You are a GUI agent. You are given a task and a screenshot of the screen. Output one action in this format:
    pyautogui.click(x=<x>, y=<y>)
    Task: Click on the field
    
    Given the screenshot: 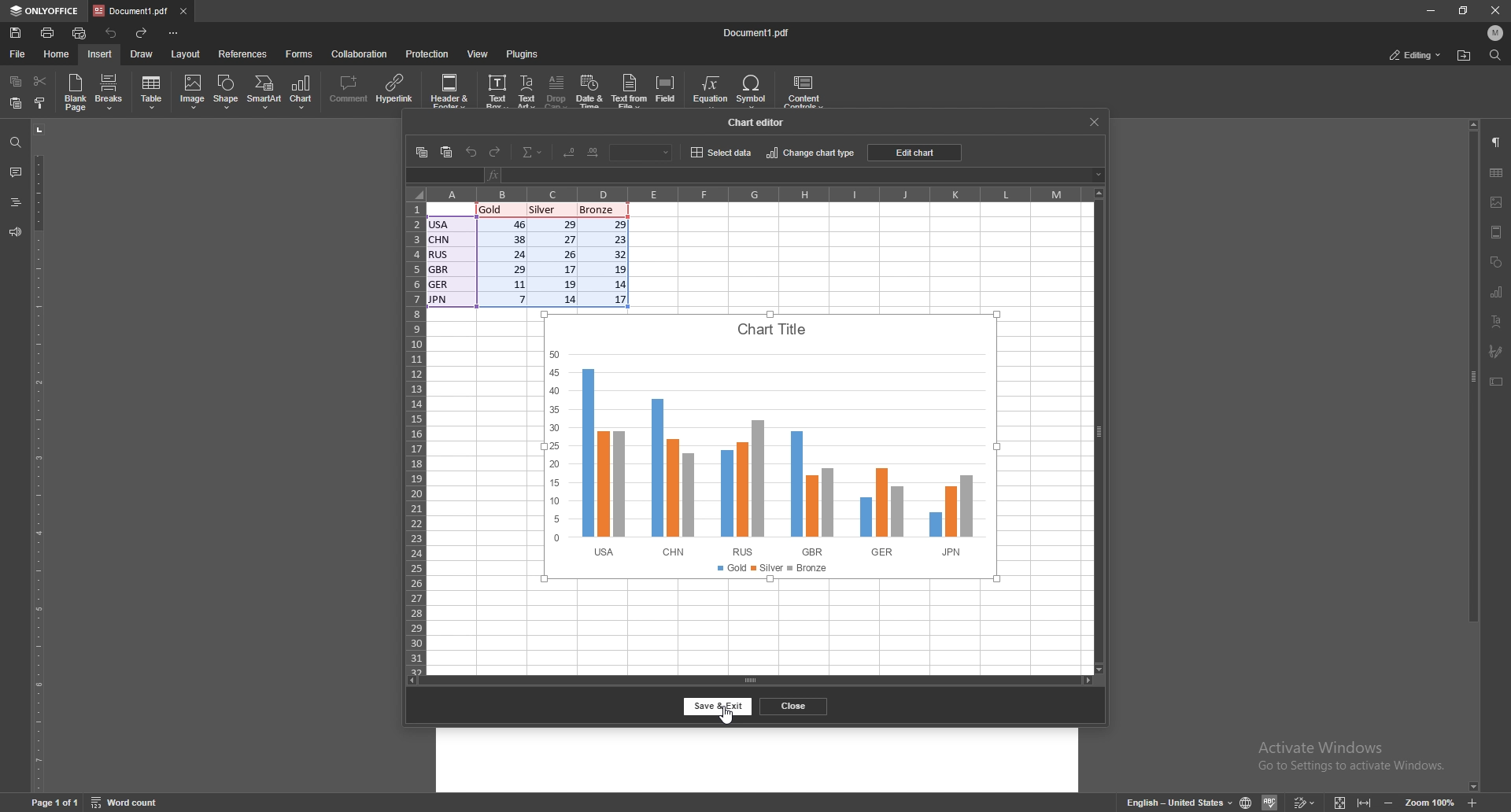 What is the action you would take?
    pyautogui.click(x=667, y=92)
    